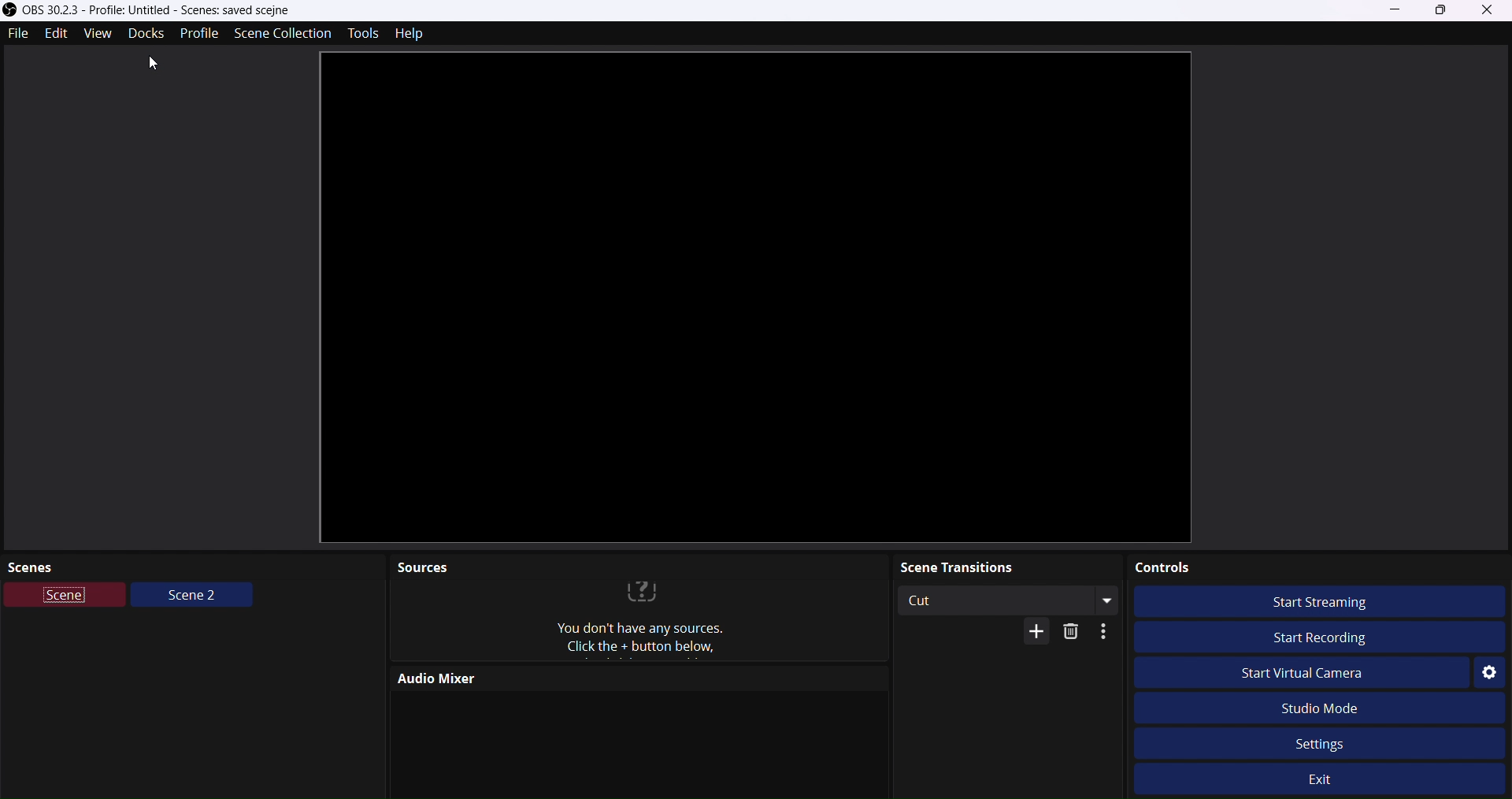  I want to click on Docks, so click(144, 35).